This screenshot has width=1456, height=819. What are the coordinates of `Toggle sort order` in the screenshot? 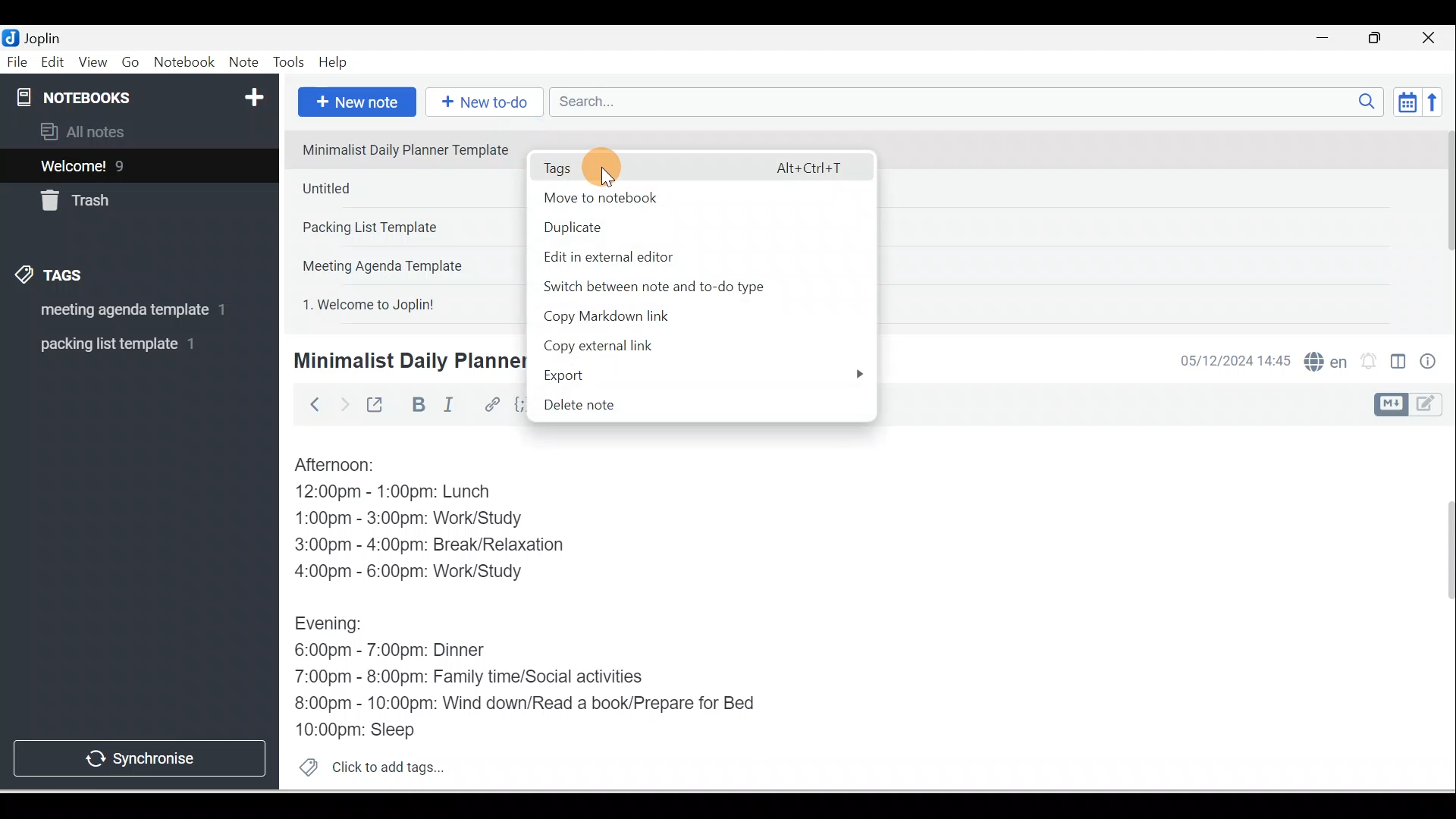 It's located at (1407, 101).